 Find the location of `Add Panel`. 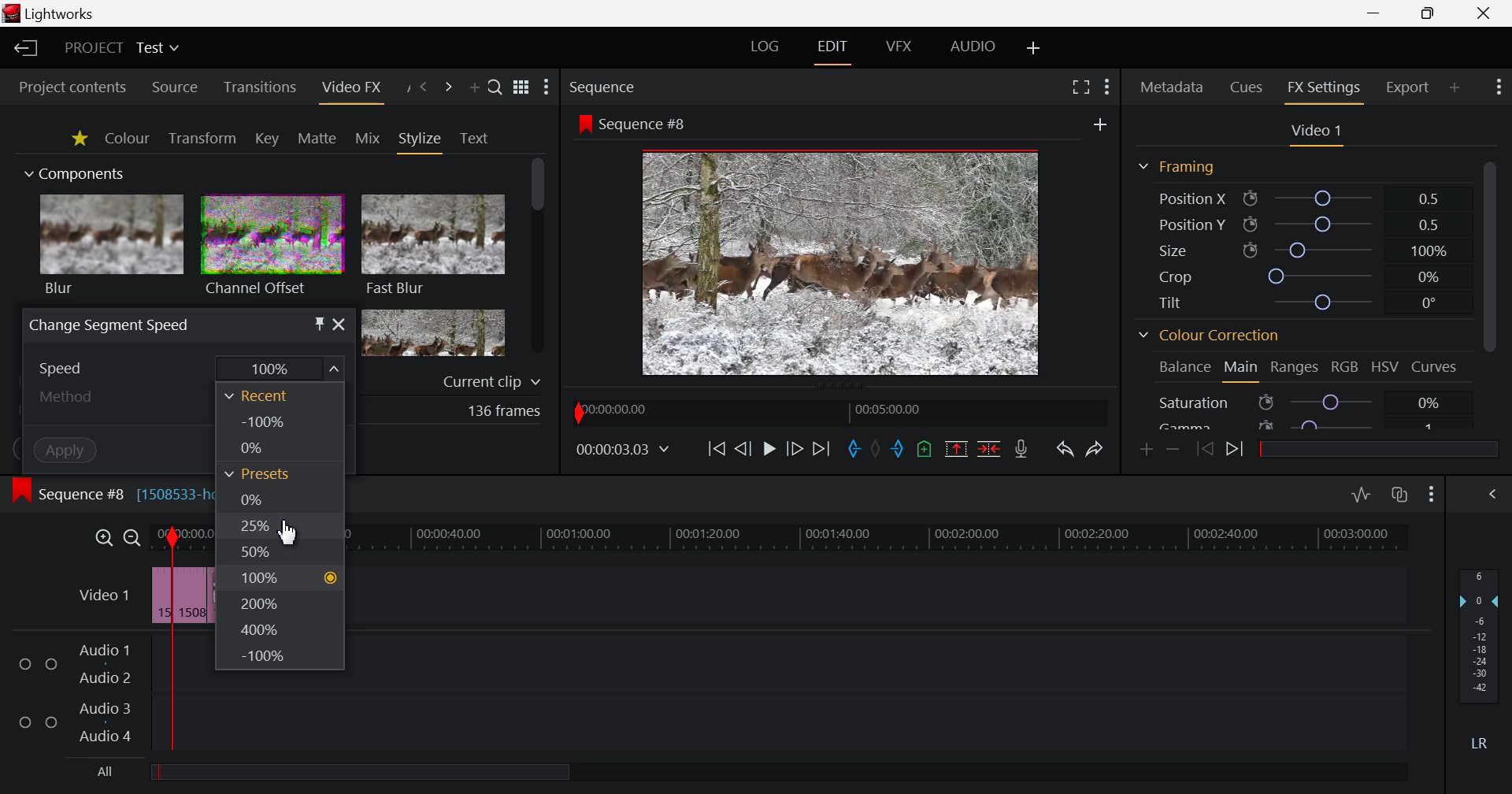

Add Panel is located at coordinates (1455, 86).